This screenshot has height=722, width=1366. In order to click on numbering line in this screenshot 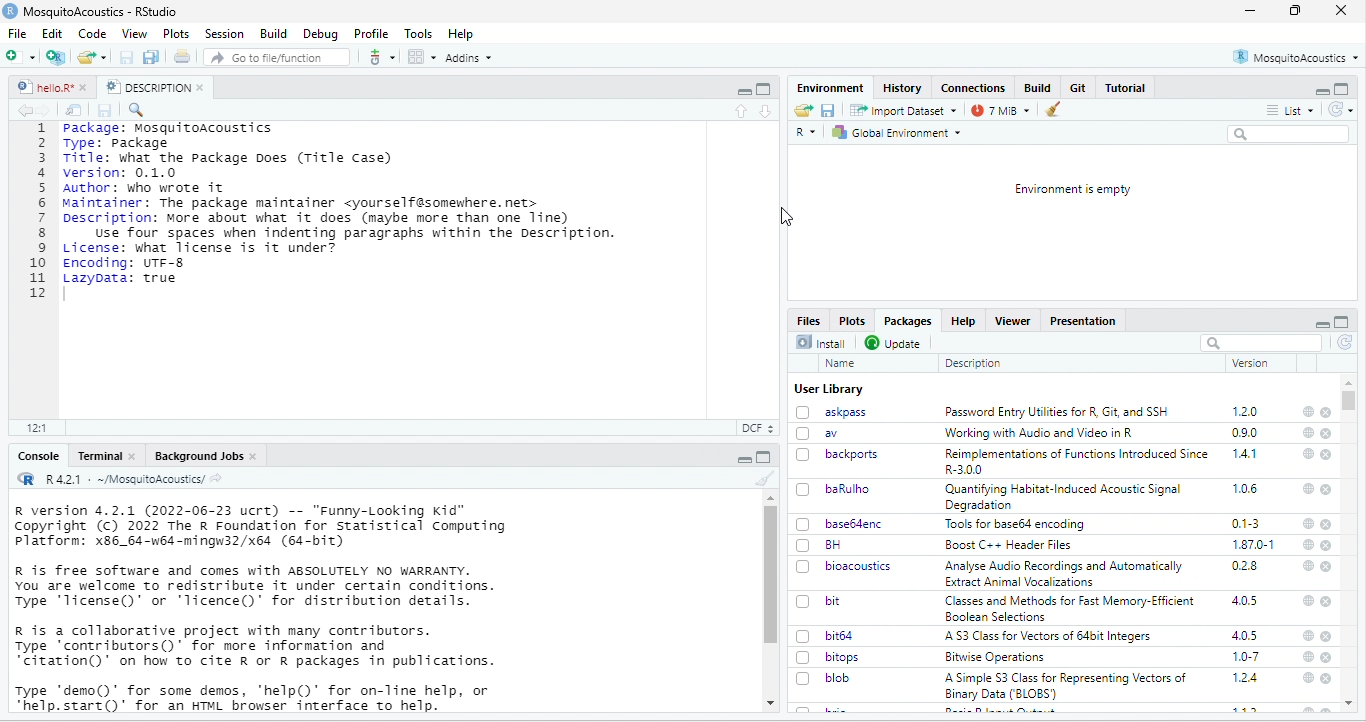, I will do `click(37, 211)`.